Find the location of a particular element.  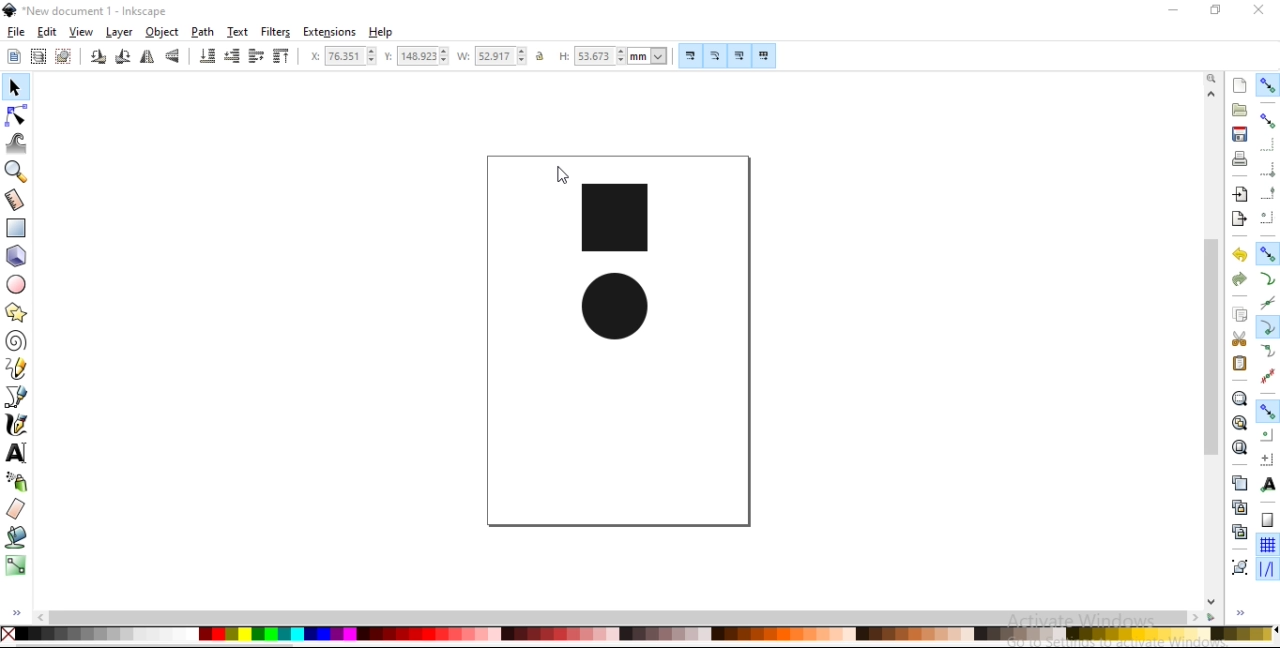

select and transform objects is located at coordinates (16, 88).